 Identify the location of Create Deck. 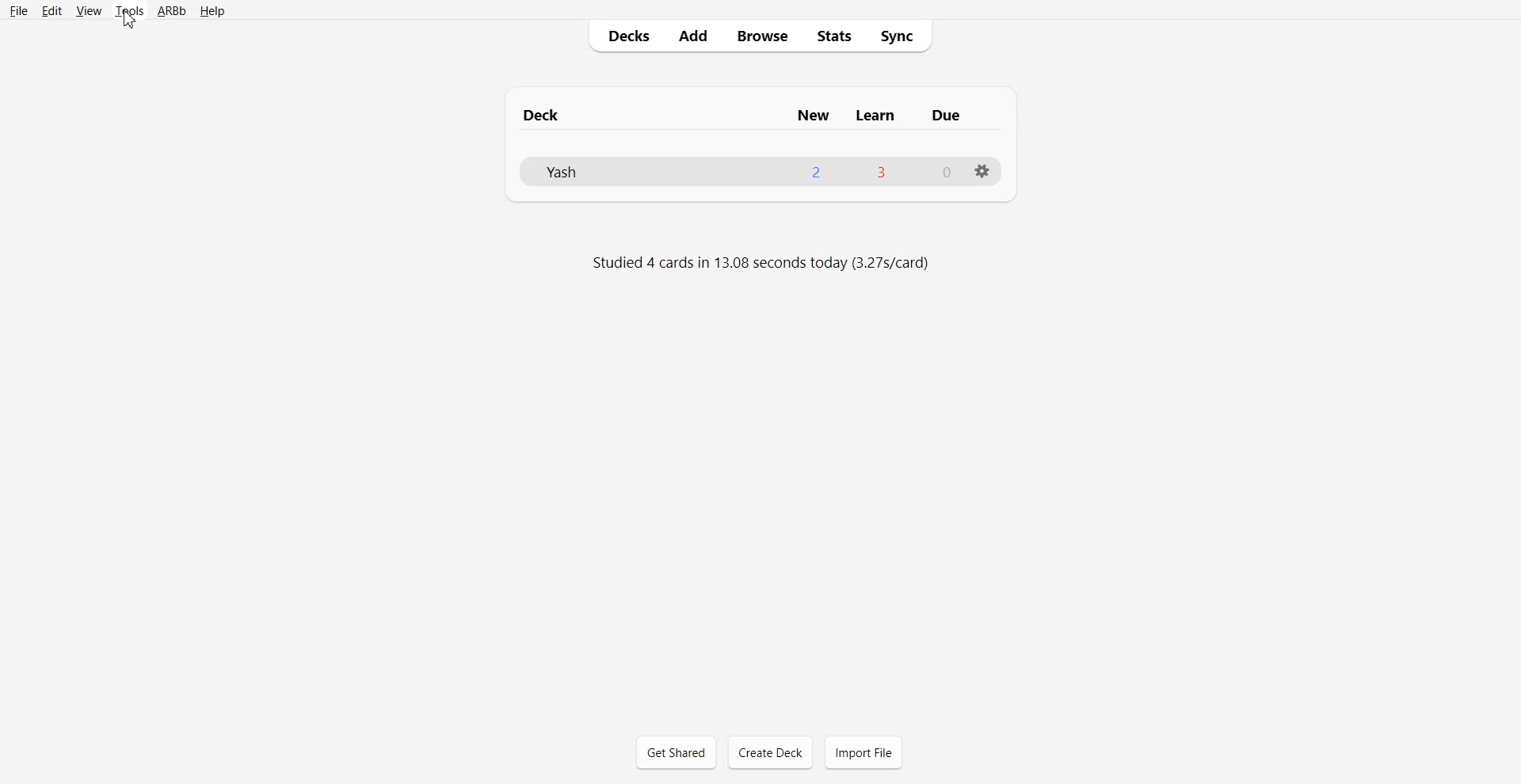
(771, 753).